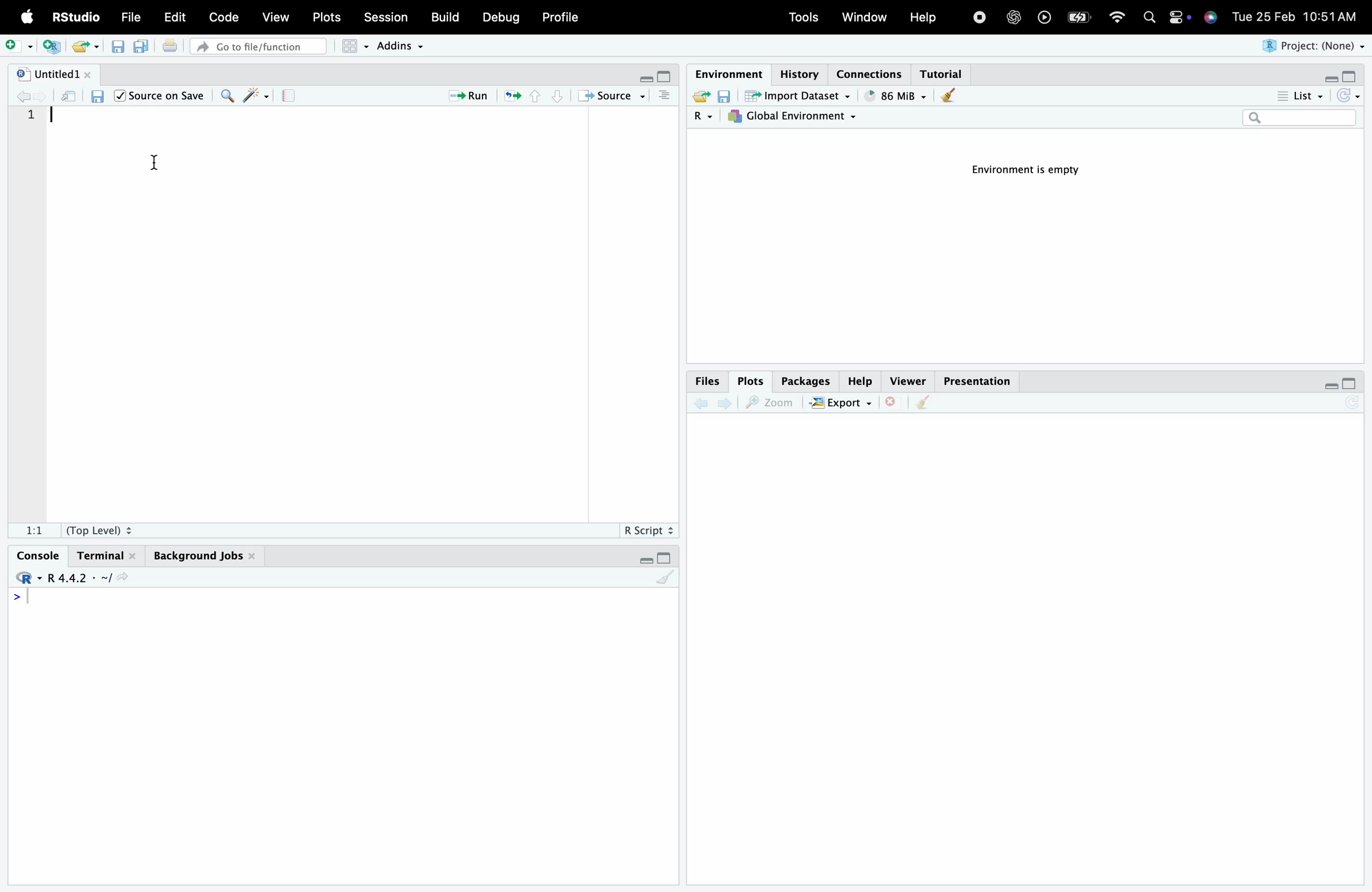 The height and width of the screenshot is (892, 1372). What do you see at coordinates (729, 407) in the screenshot?
I see `next` at bounding box center [729, 407].